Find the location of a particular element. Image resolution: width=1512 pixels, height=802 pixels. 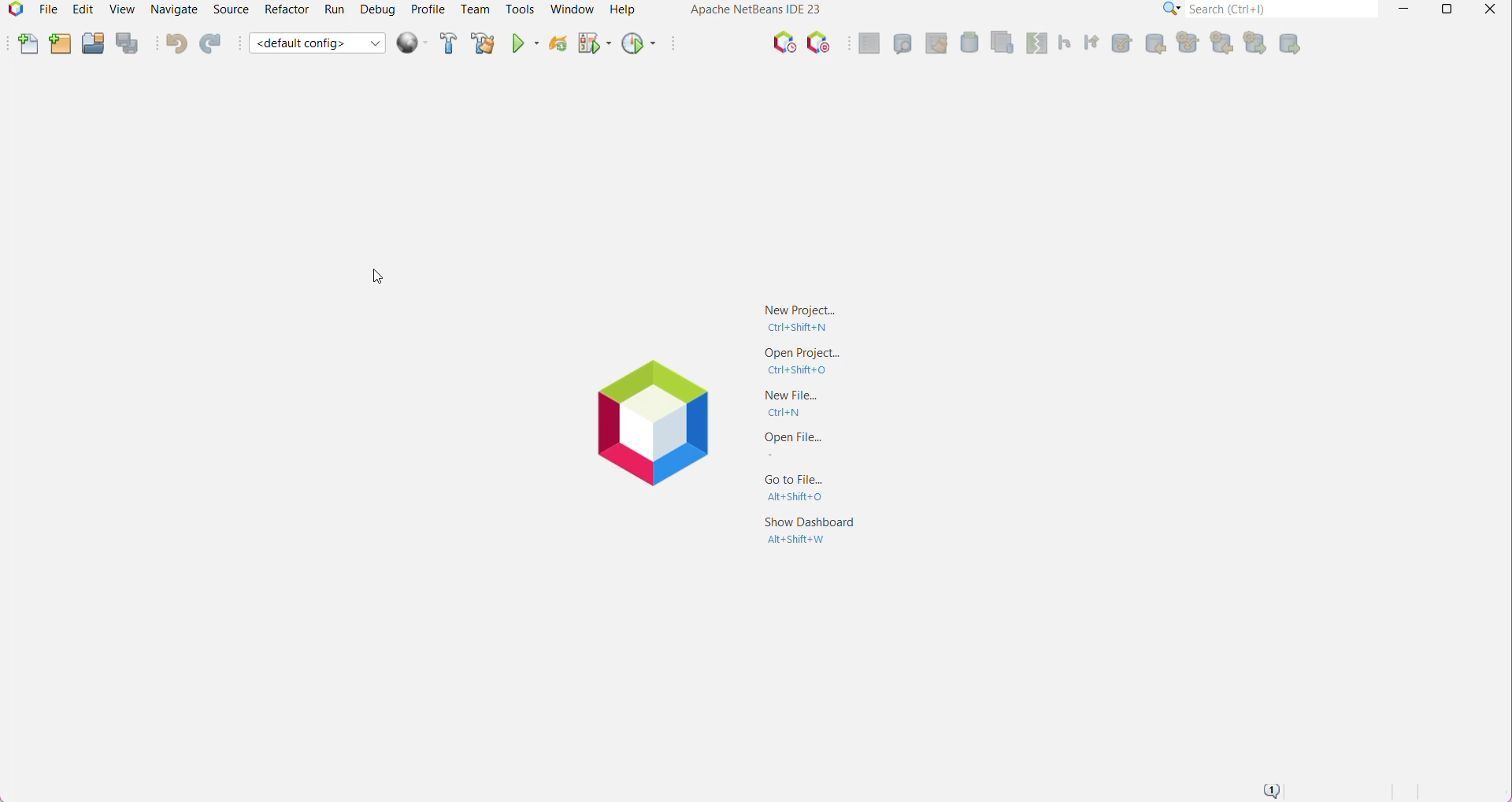

Team is located at coordinates (475, 9).